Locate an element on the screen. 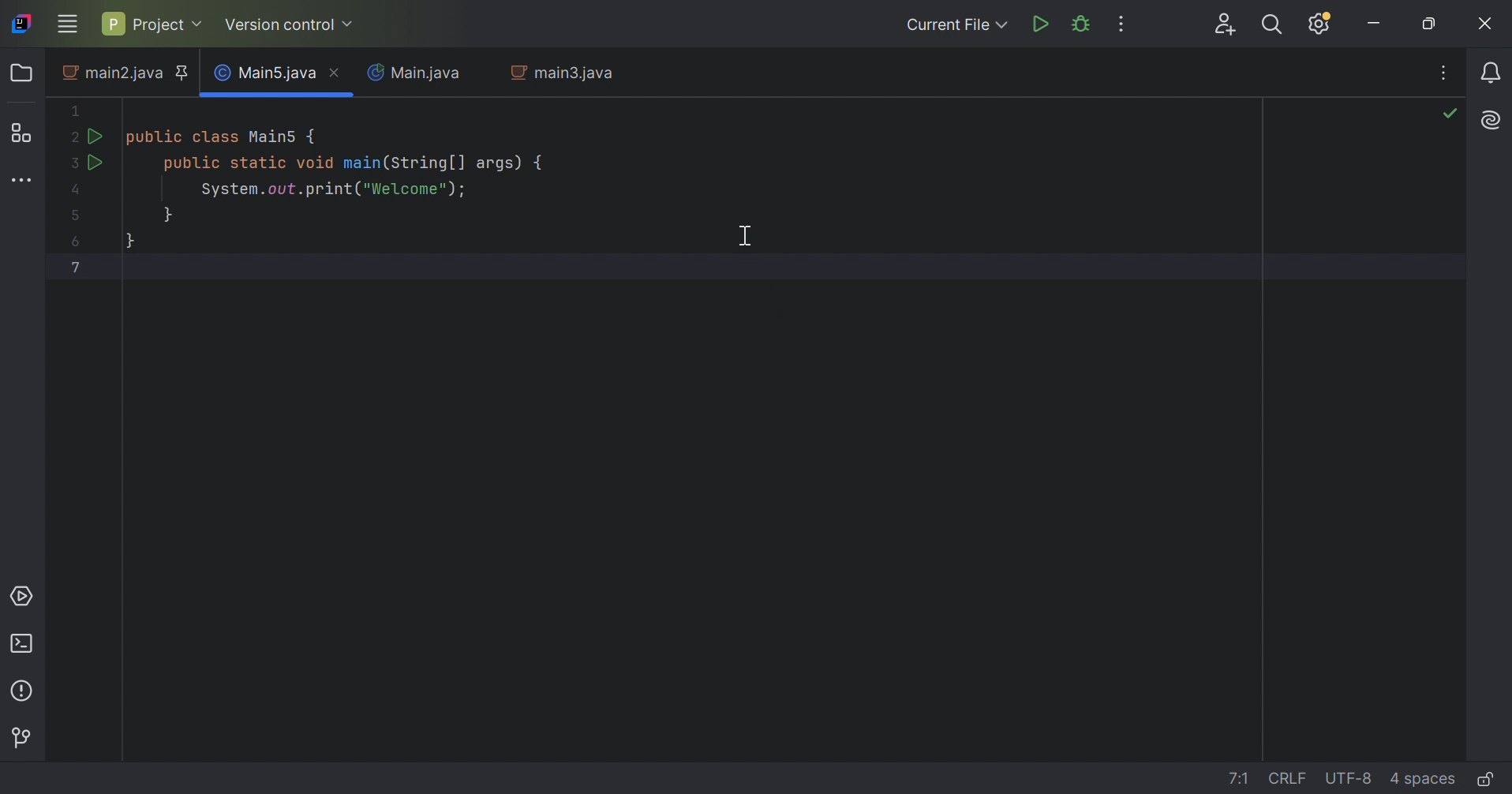 The height and width of the screenshot is (794, 1512). public static void main(String[] args) { is located at coordinates (352, 163).